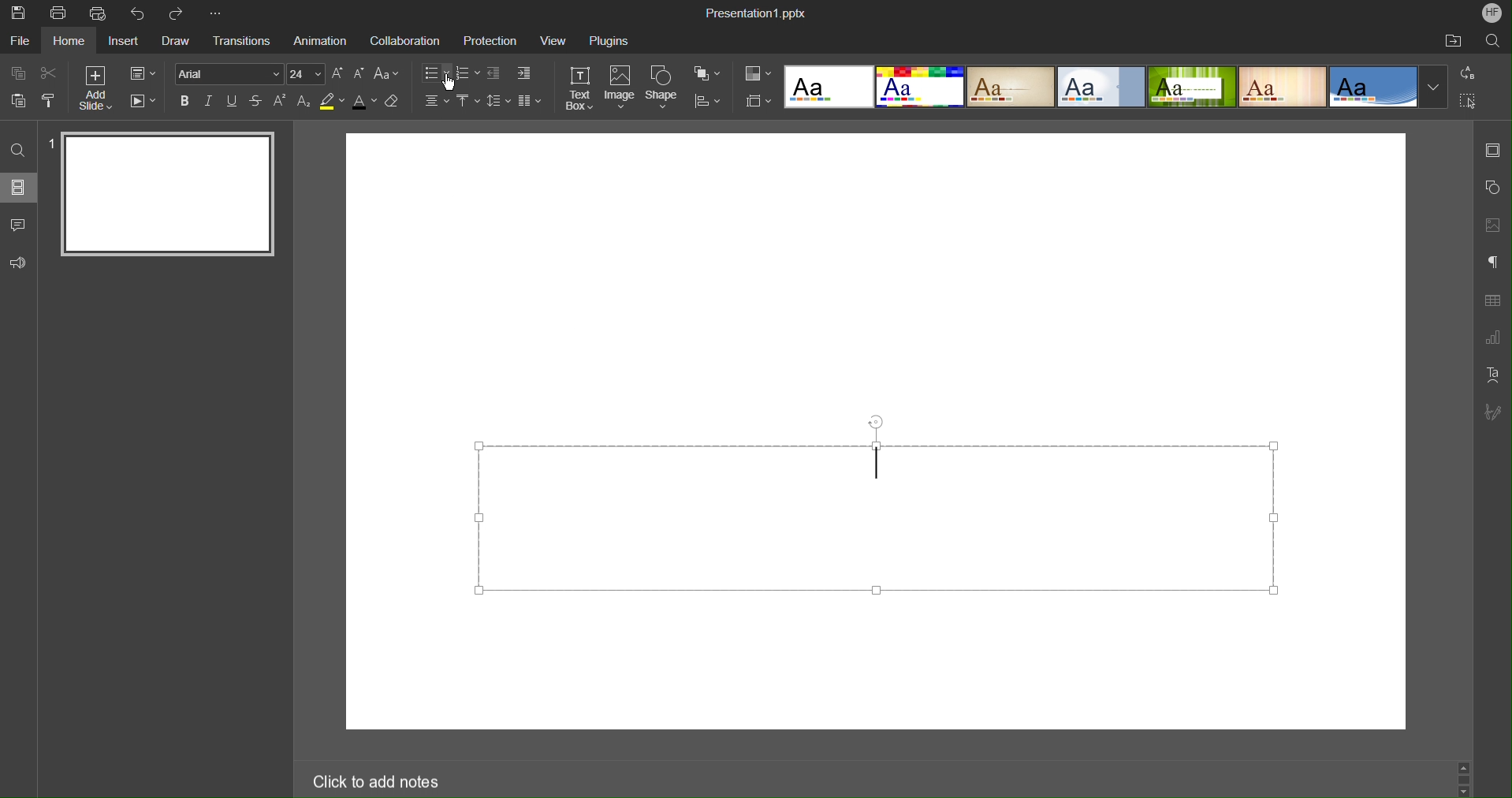 Image resolution: width=1512 pixels, height=798 pixels. Describe the element at coordinates (16, 101) in the screenshot. I see `Paste` at that location.